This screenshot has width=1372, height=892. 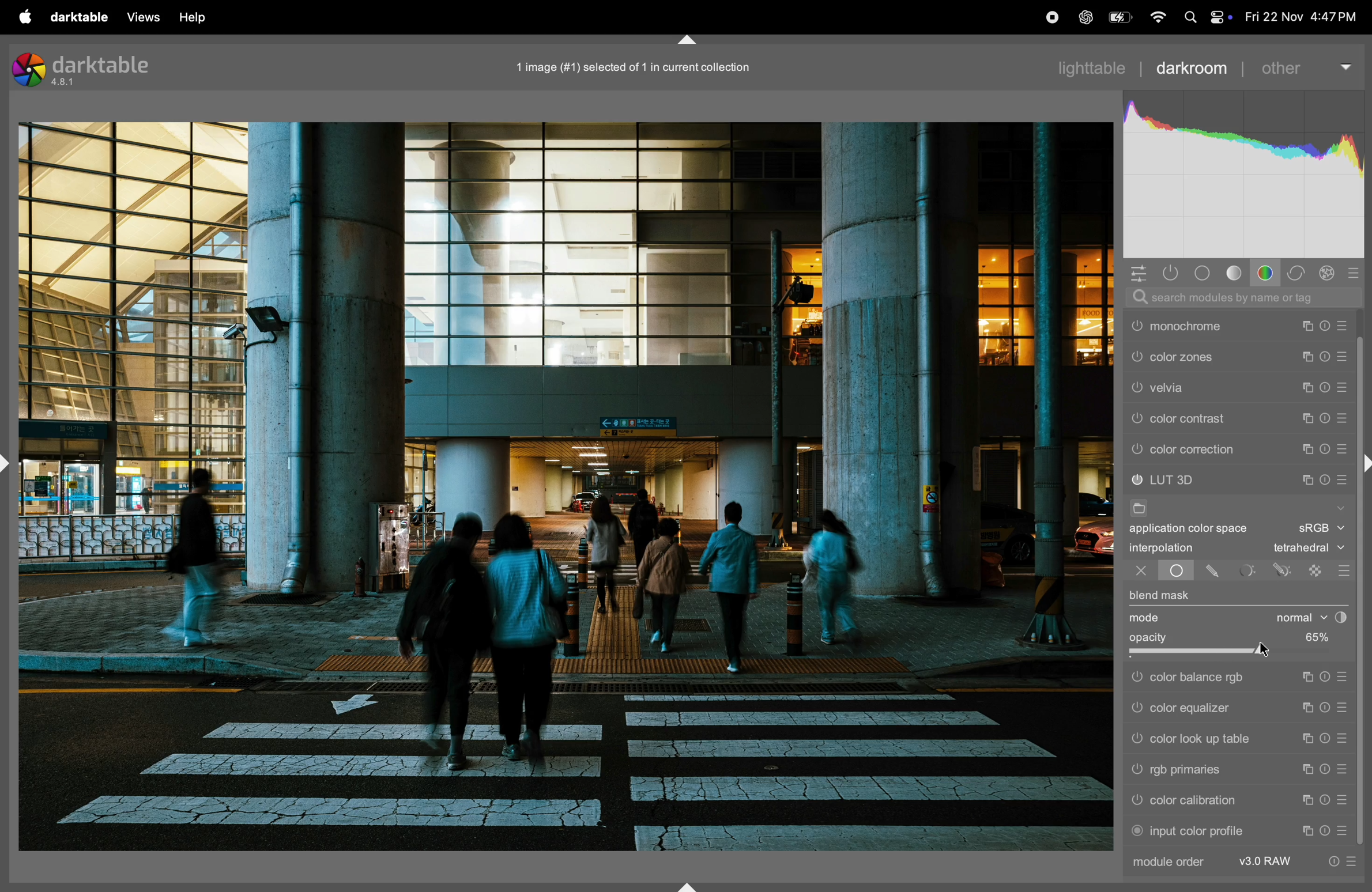 What do you see at coordinates (1344, 675) in the screenshot?
I see `presets` at bounding box center [1344, 675].